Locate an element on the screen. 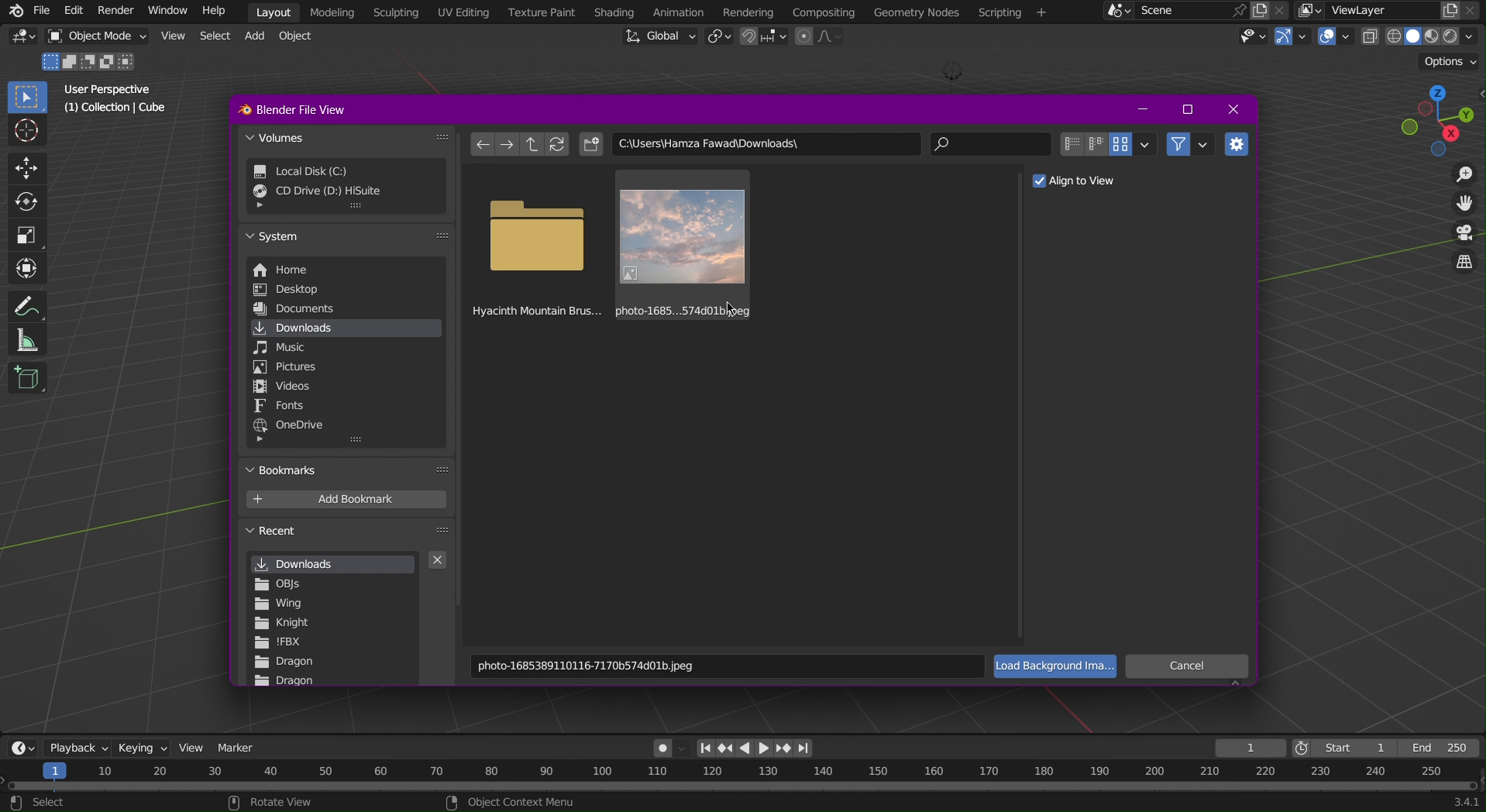 Image resolution: width=1486 pixels, height=812 pixels. Load Background Image is located at coordinates (1058, 668).